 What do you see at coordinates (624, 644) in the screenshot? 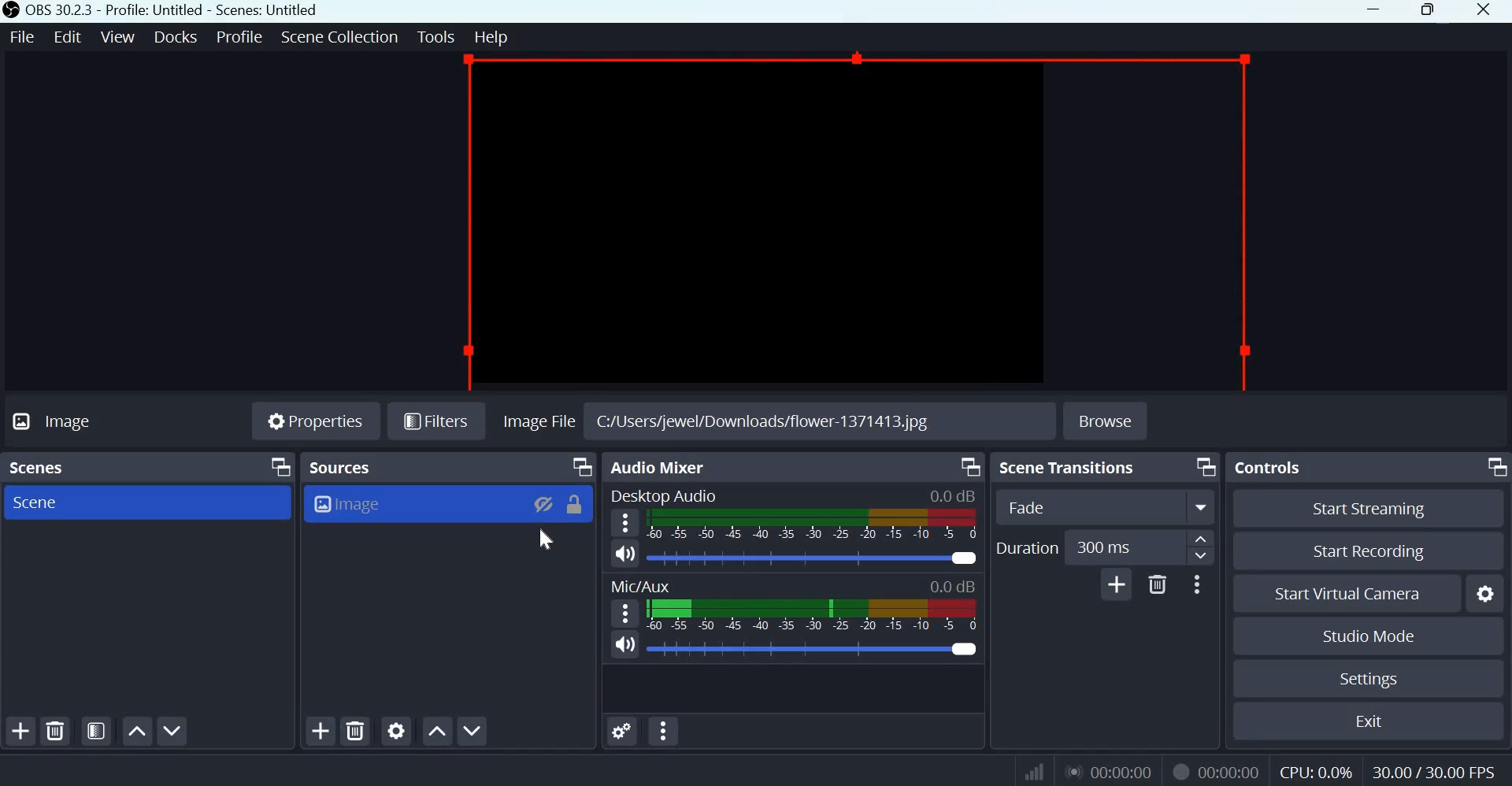
I see `Speaker icon` at bounding box center [624, 644].